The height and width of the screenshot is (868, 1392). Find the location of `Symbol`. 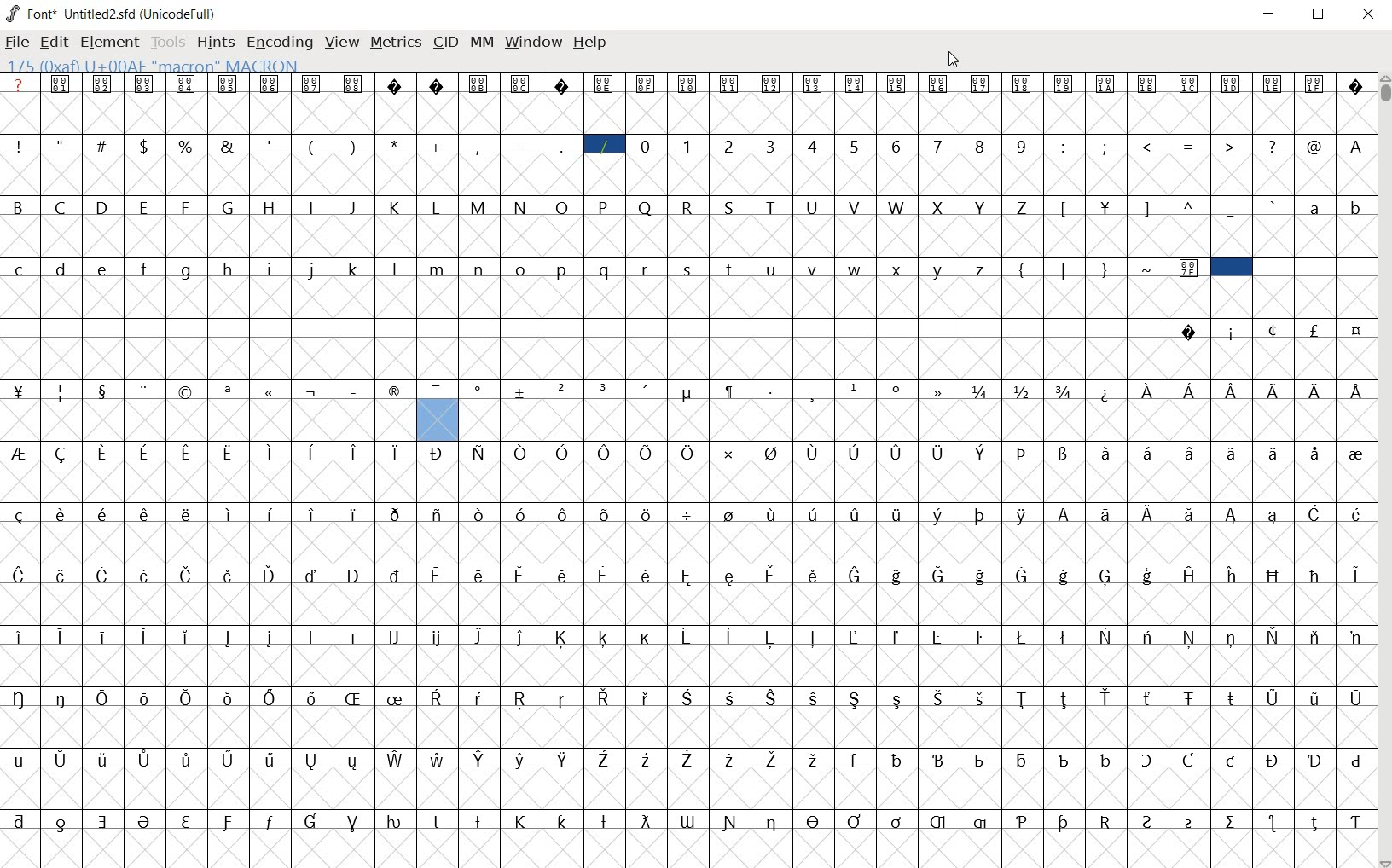

Symbol is located at coordinates (815, 574).